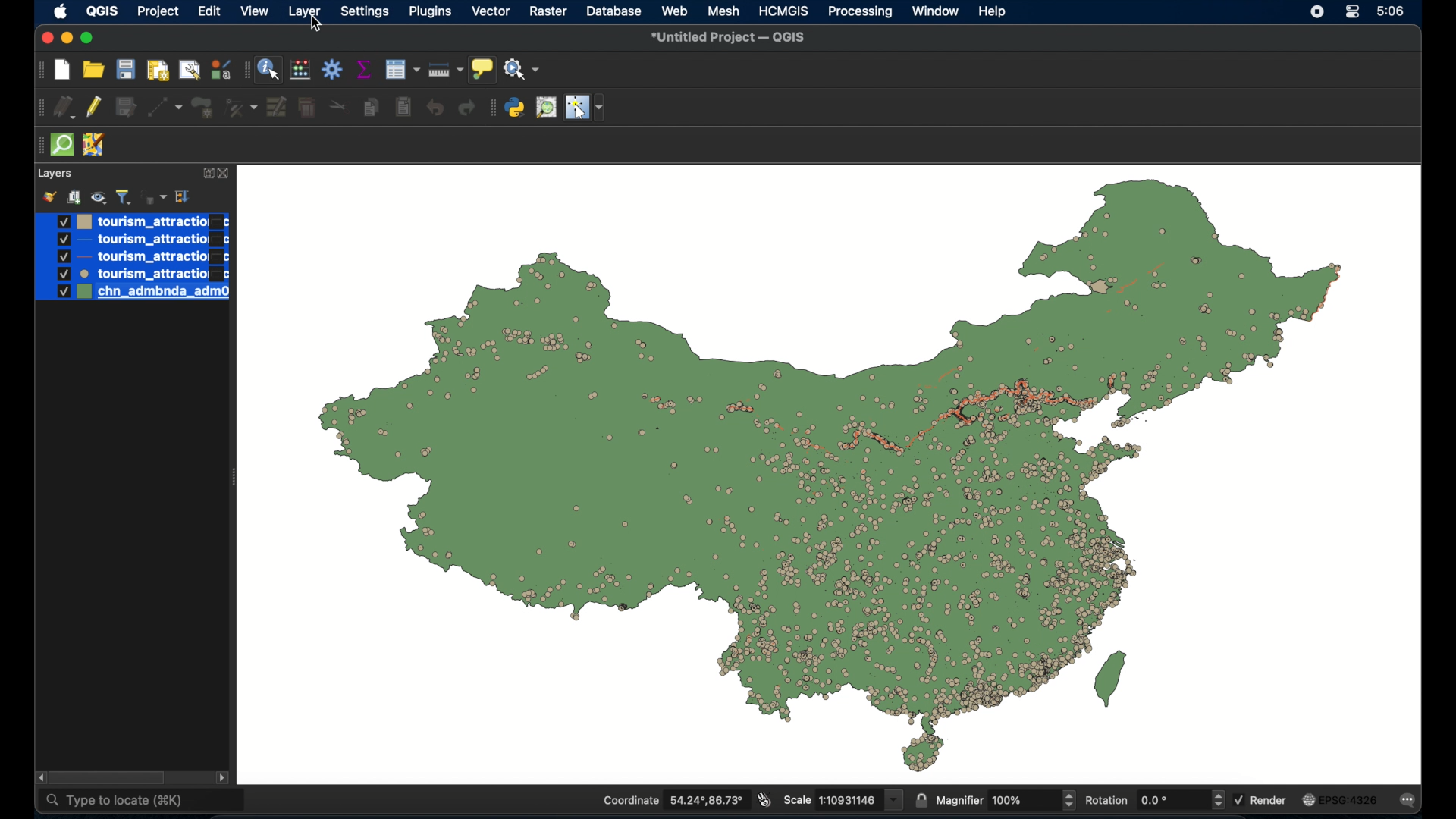 Image resolution: width=1456 pixels, height=819 pixels. What do you see at coordinates (49, 196) in the screenshot?
I see `open layer styling panel` at bounding box center [49, 196].